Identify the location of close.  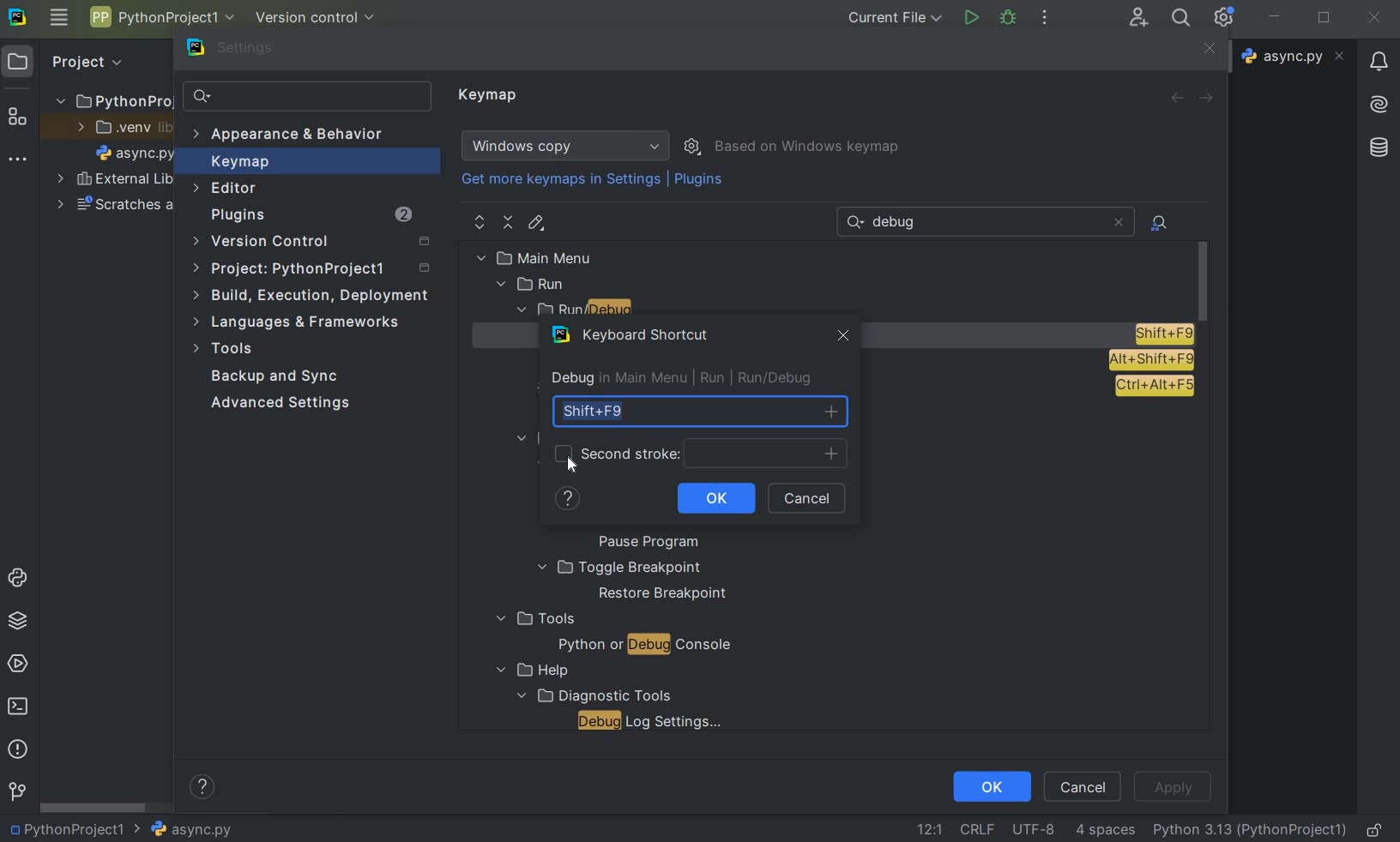
(840, 338).